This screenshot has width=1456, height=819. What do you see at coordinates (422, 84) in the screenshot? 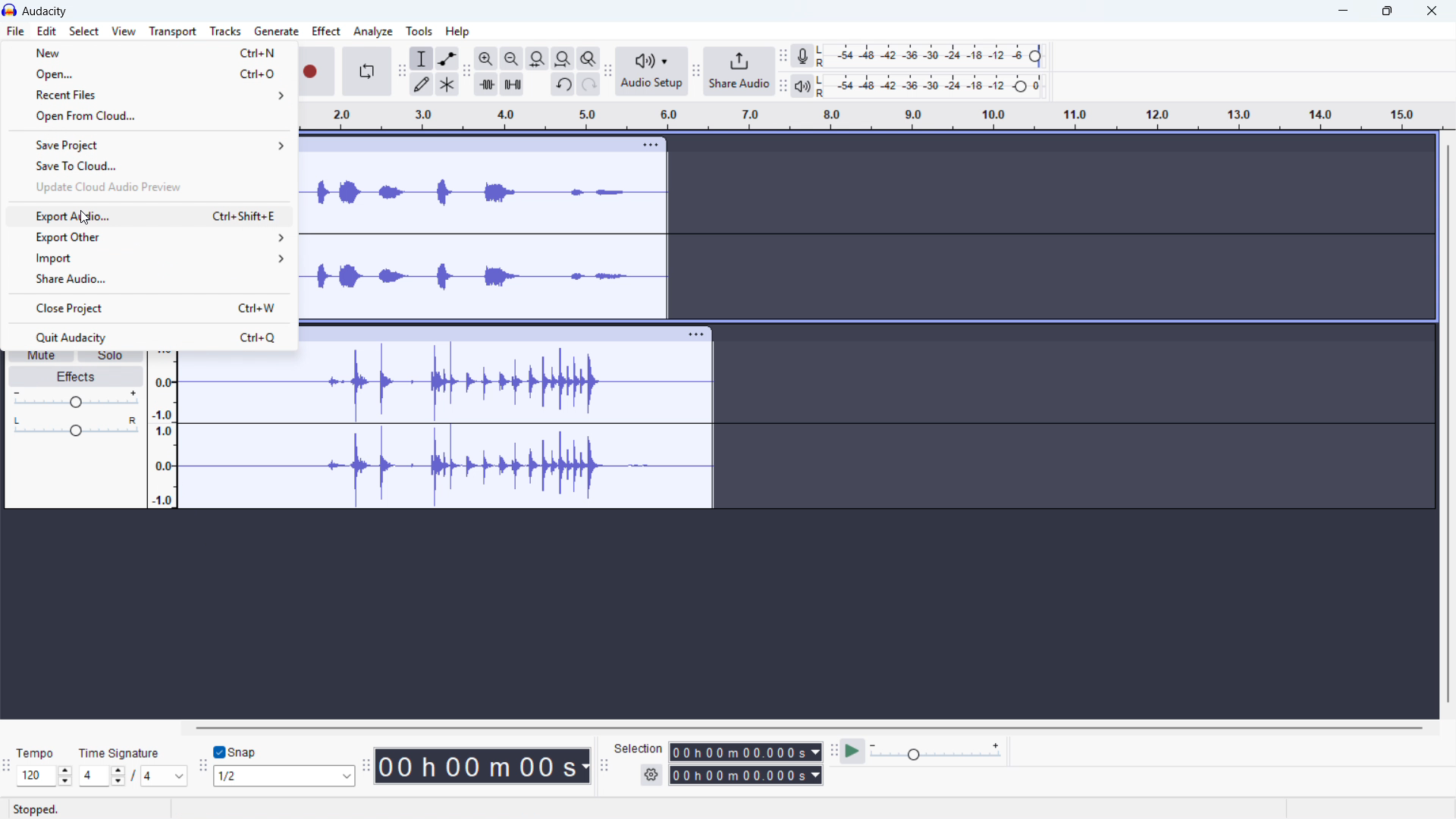
I see `Draw tool ` at bounding box center [422, 84].